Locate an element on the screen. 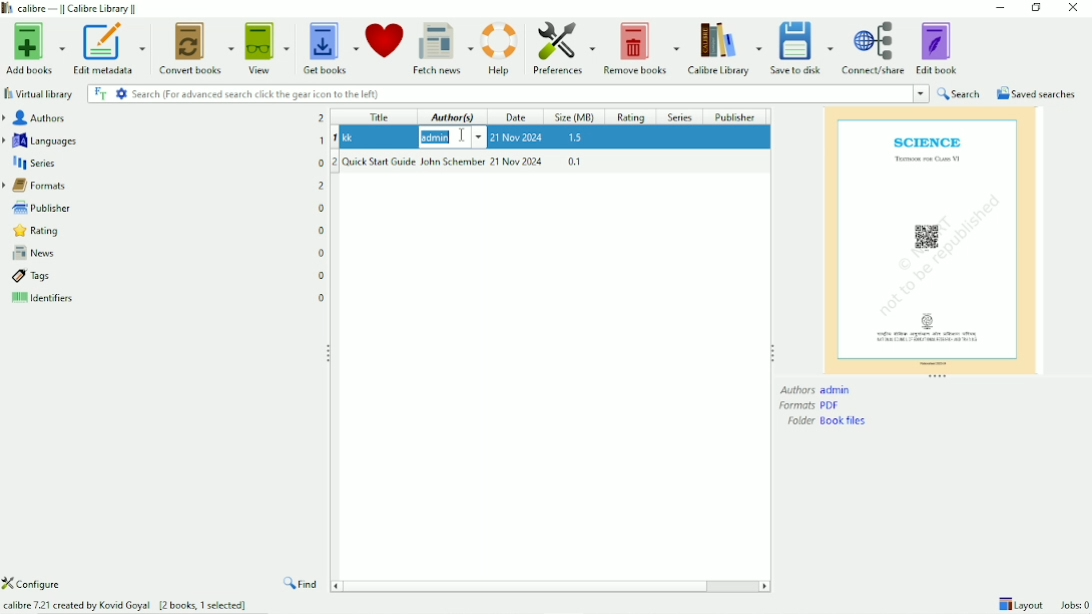  Series is located at coordinates (679, 117).